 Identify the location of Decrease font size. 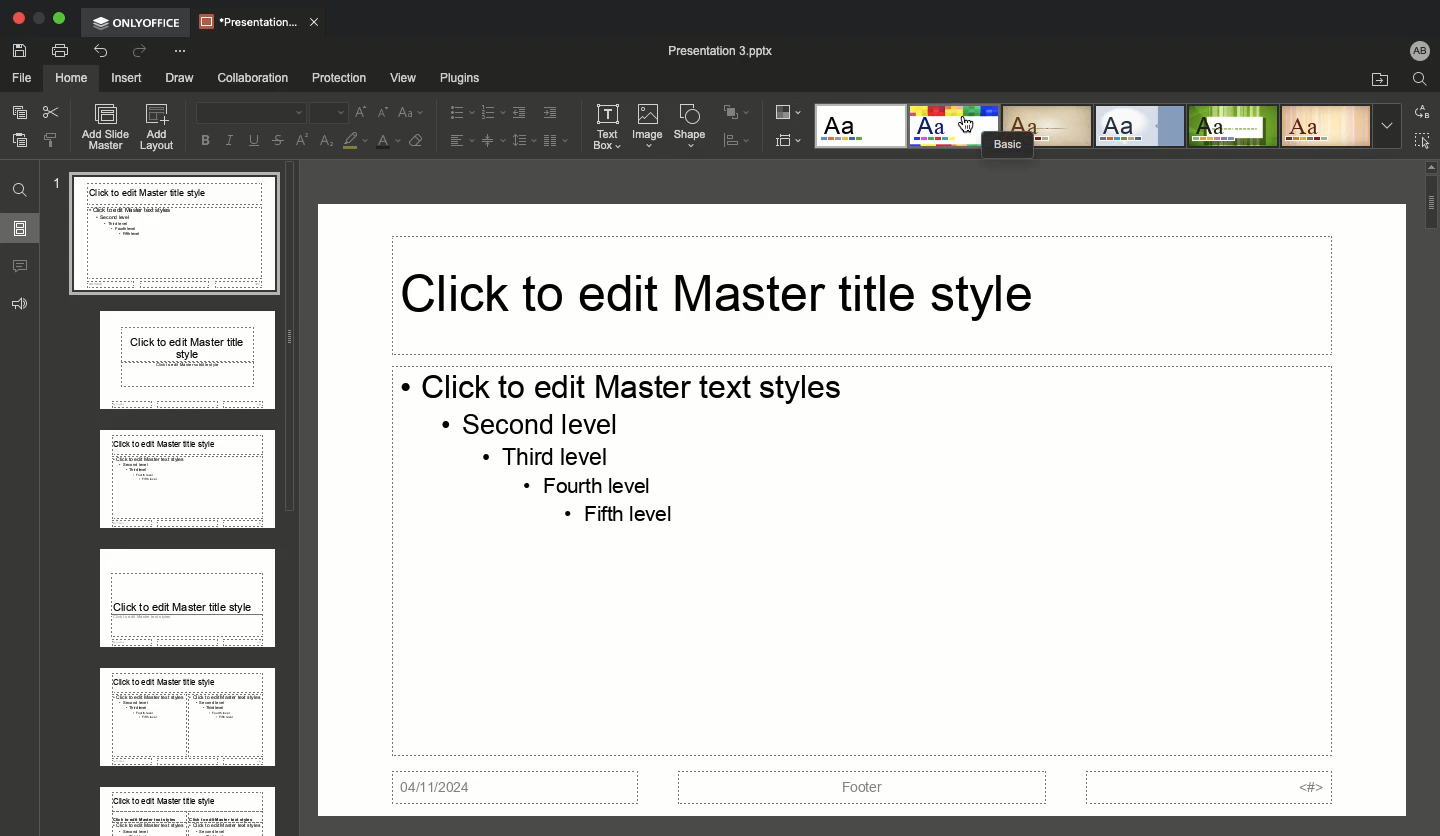
(379, 113).